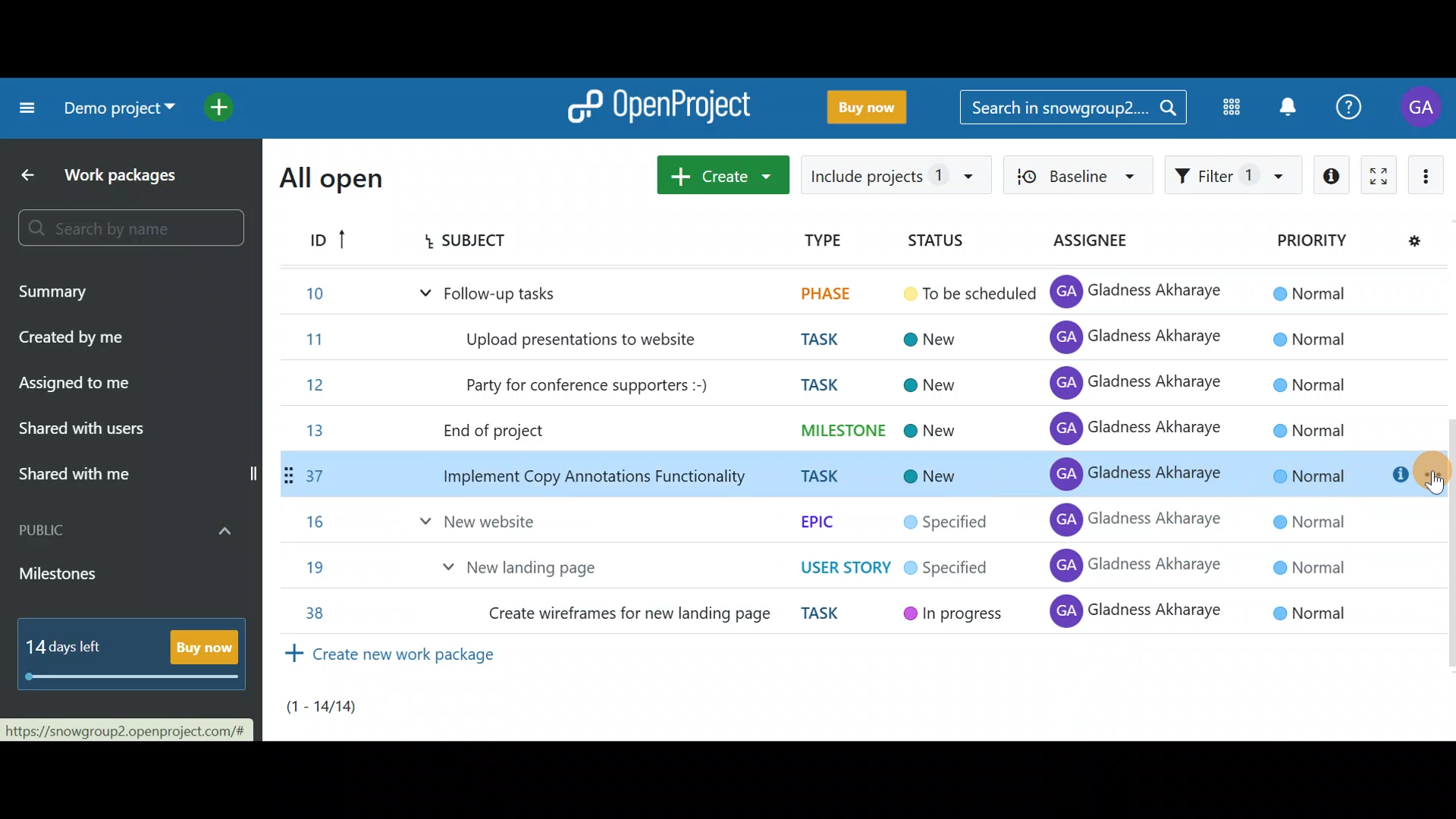 This screenshot has height=819, width=1456. What do you see at coordinates (1379, 177) in the screenshot?
I see `Activate zen mode` at bounding box center [1379, 177].